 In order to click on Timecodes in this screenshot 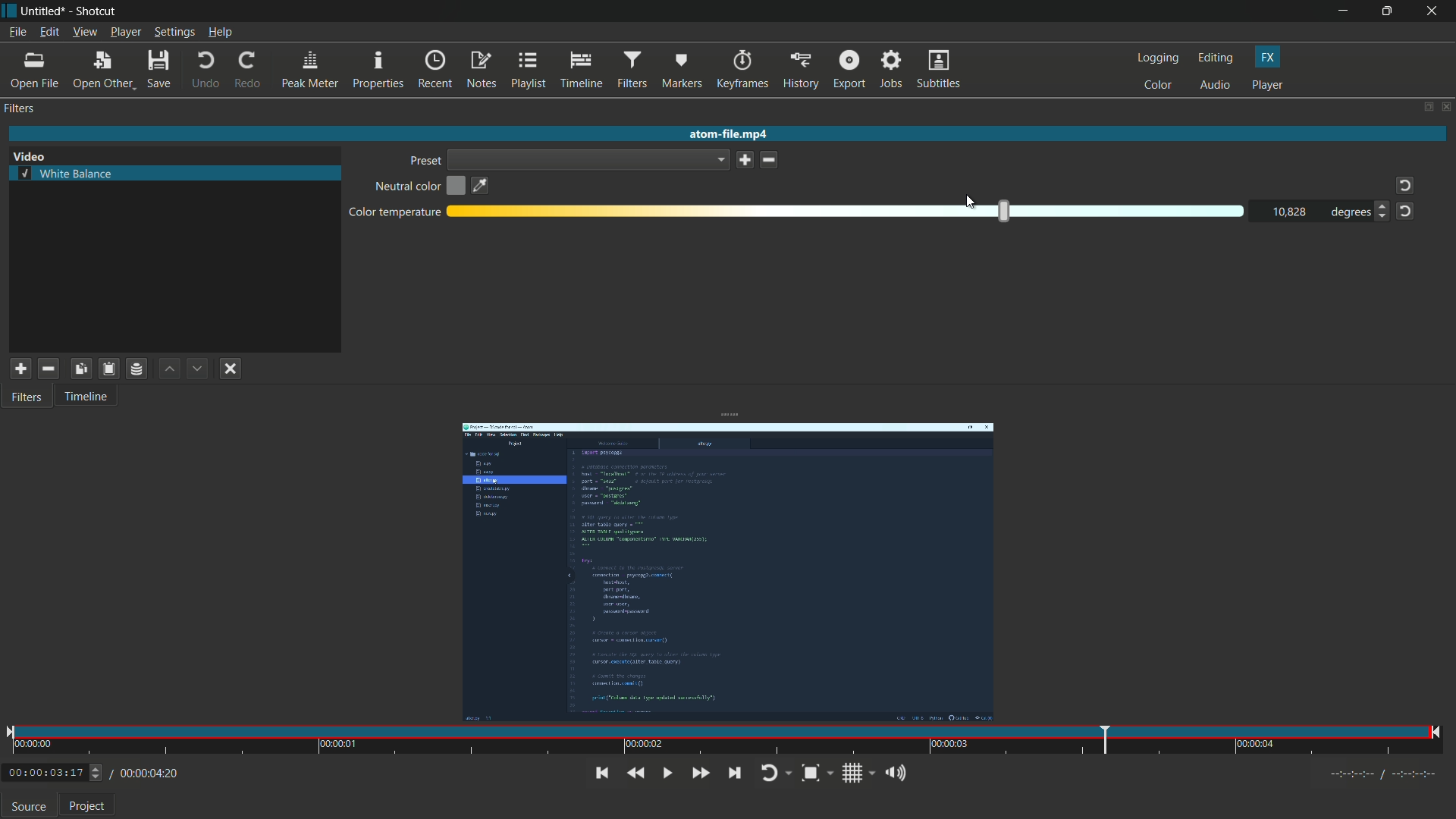, I will do `click(1373, 773)`.